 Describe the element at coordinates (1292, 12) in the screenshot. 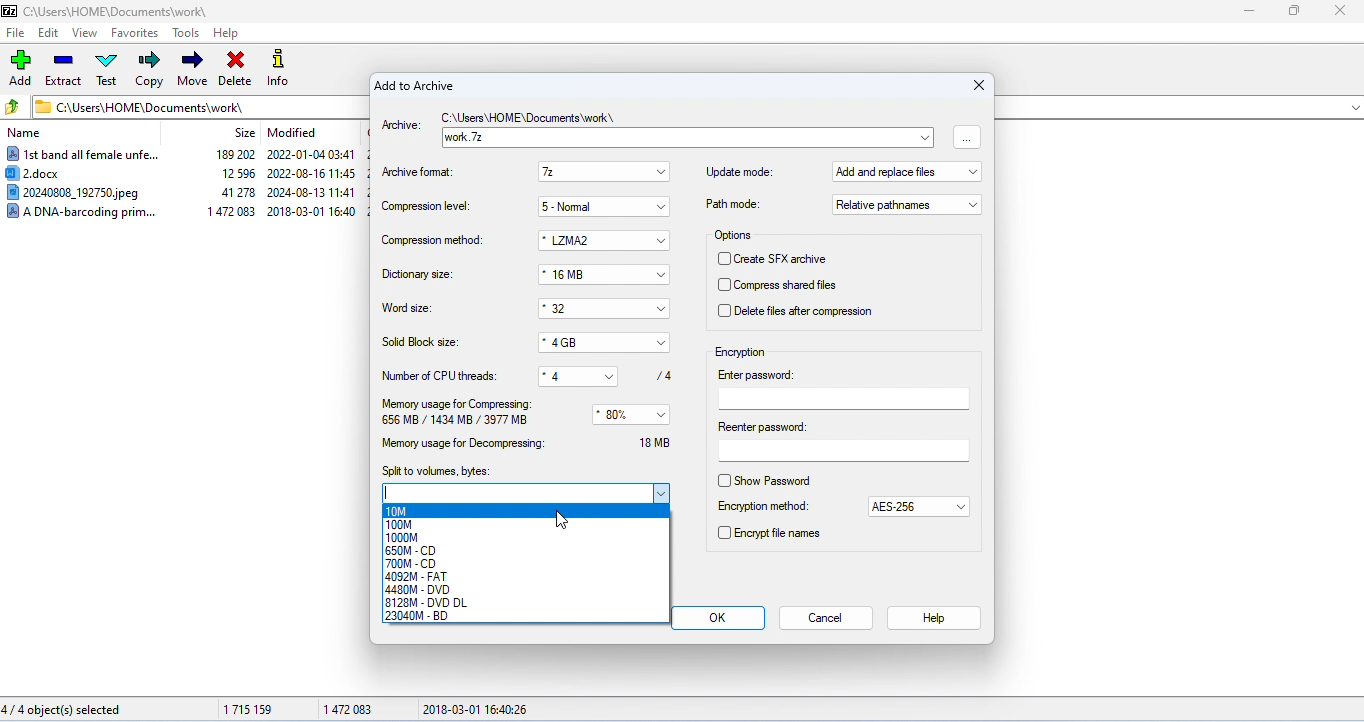

I see `maximize` at that location.